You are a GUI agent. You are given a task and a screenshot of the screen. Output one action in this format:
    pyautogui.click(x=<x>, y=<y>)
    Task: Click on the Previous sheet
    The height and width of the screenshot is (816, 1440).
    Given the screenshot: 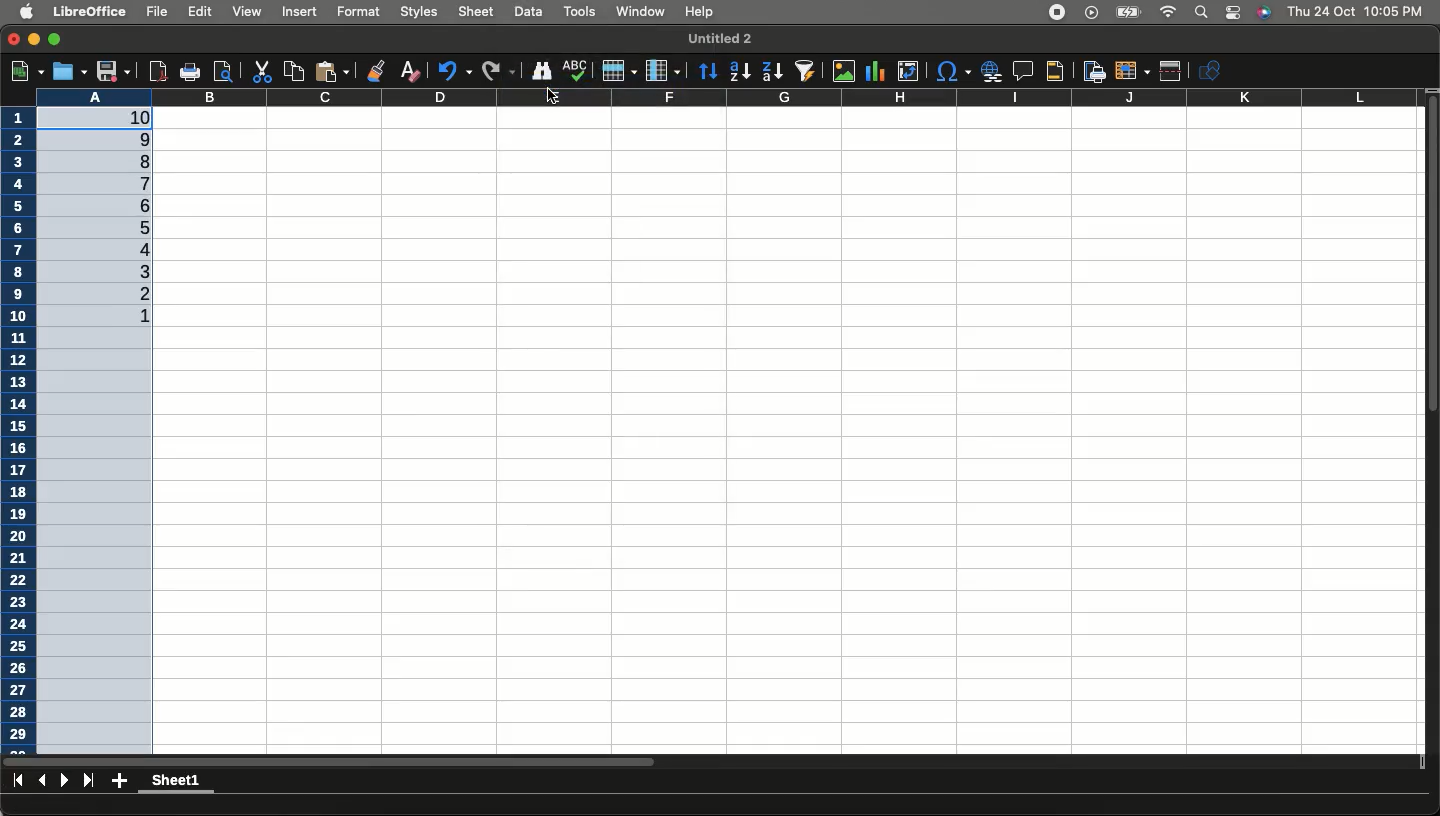 What is the action you would take?
    pyautogui.click(x=41, y=780)
    